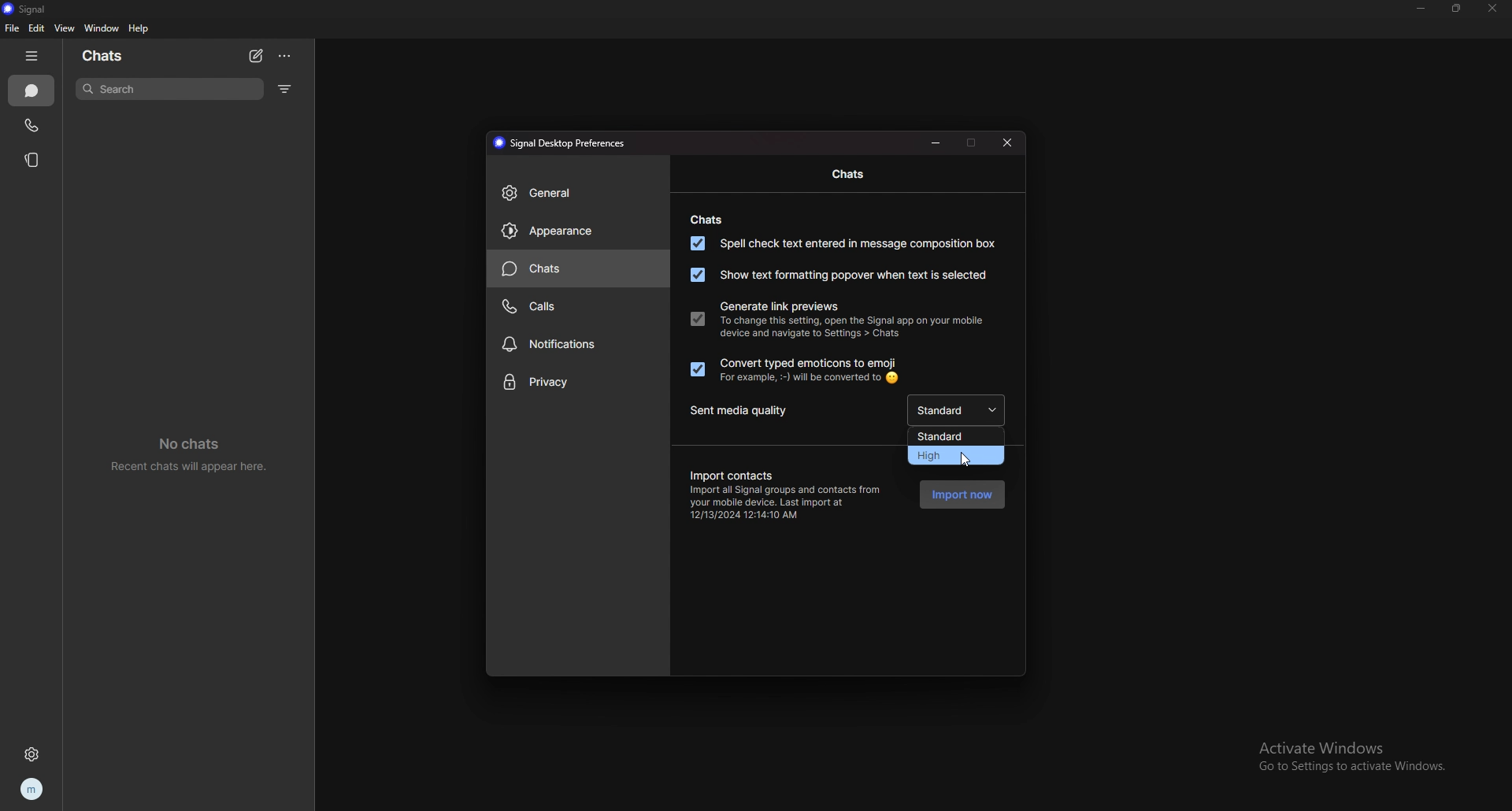 This screenshot has width=1512, height=811. What do you see at coordinates (704, 220) in the screenshot?
I see `chats` at bounding box center [704, 220].